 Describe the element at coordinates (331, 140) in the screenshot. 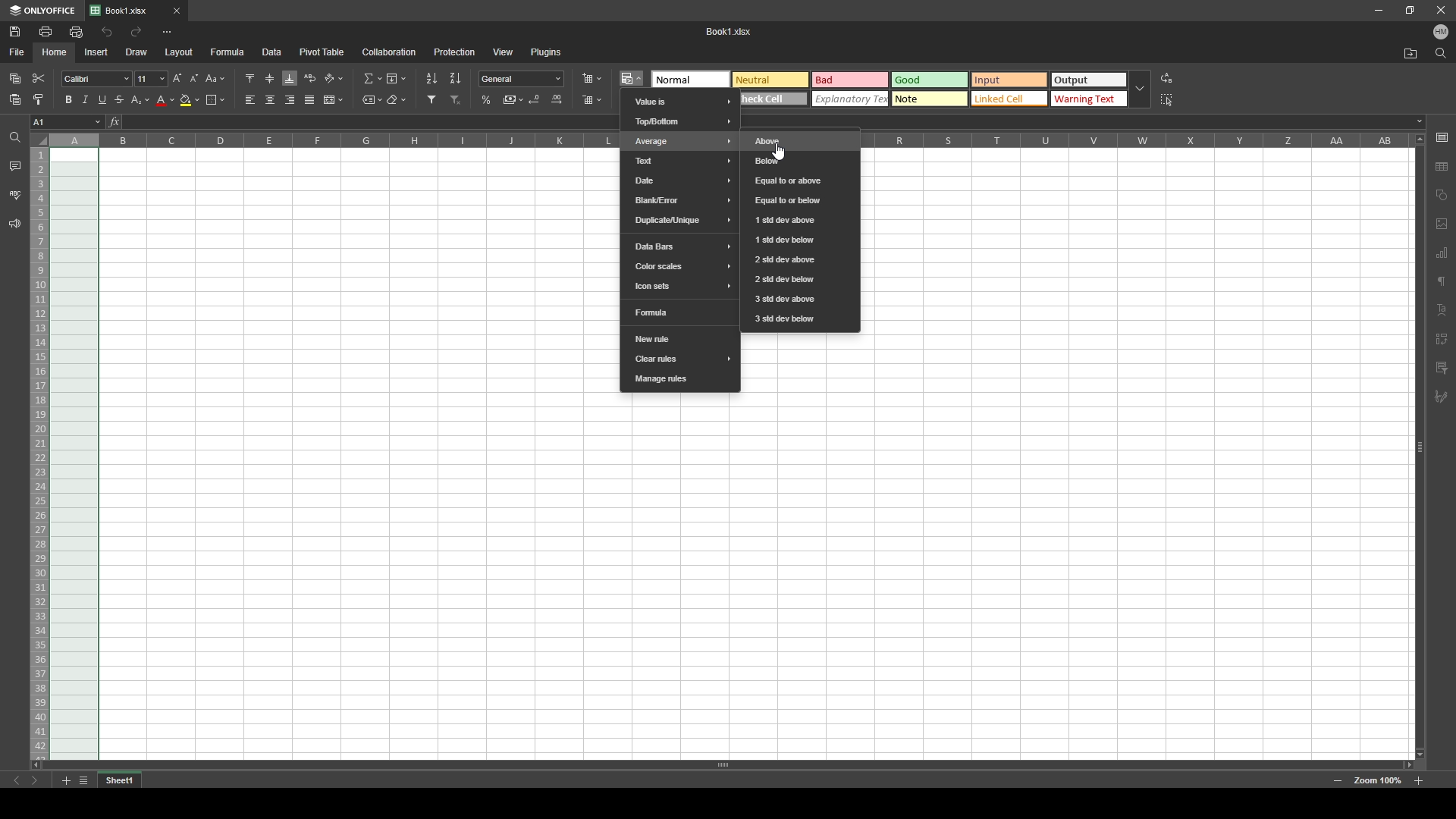

I see `cell columns` at that location.